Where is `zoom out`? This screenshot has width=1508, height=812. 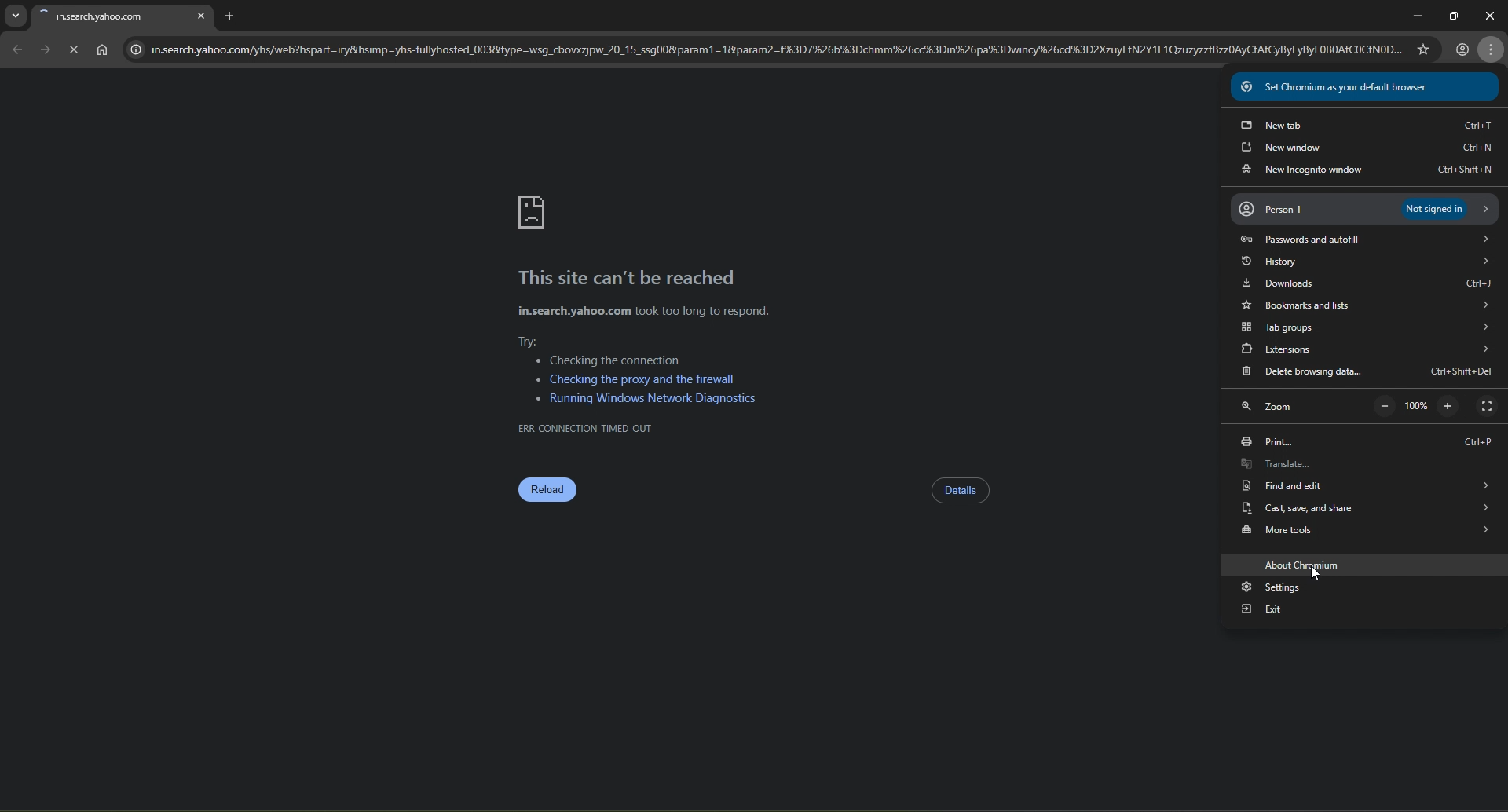
zoom out is located at coordinates (1384, 406).